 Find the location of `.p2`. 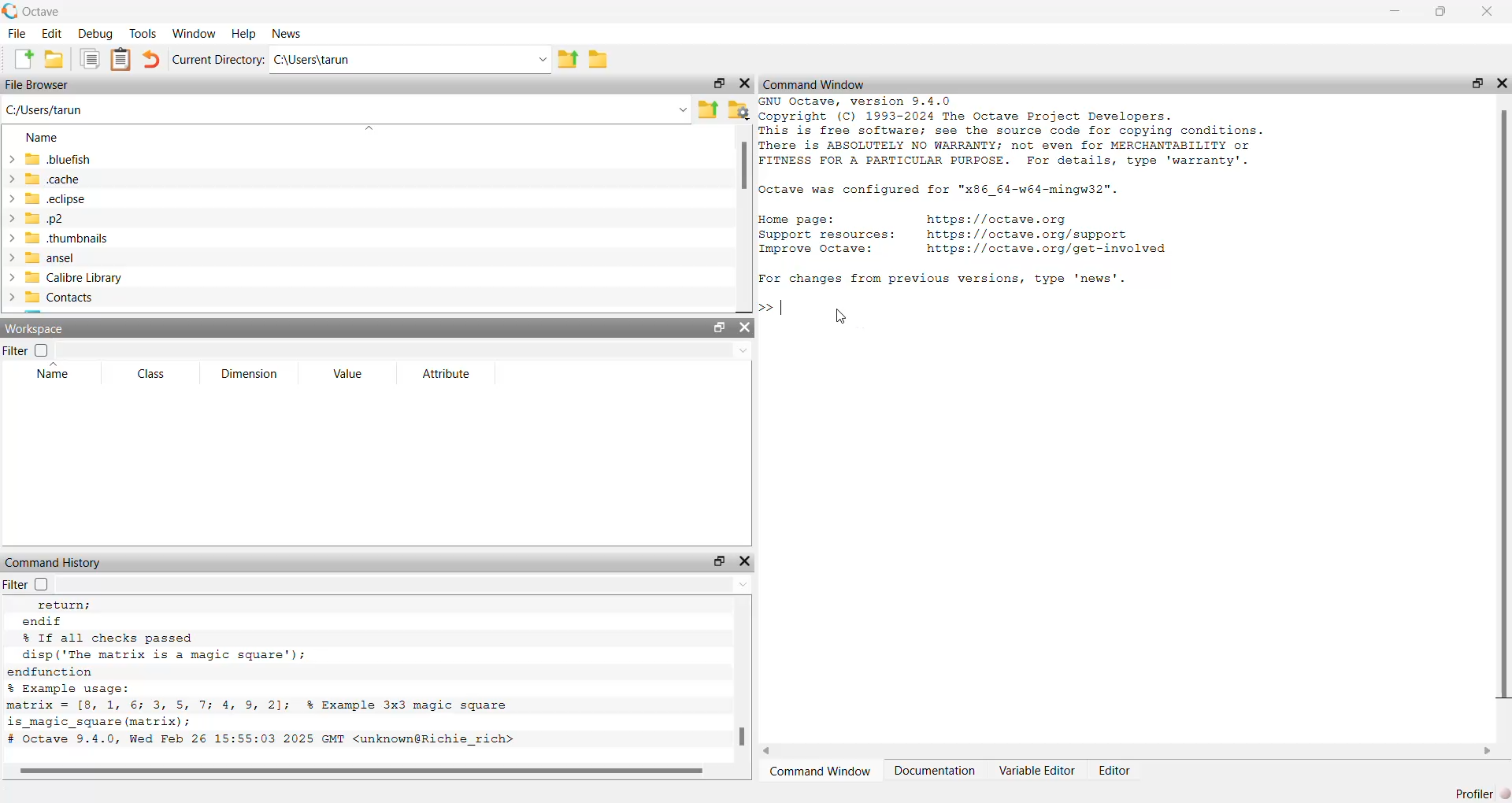

.p2 is located at coordinates (36, 219).